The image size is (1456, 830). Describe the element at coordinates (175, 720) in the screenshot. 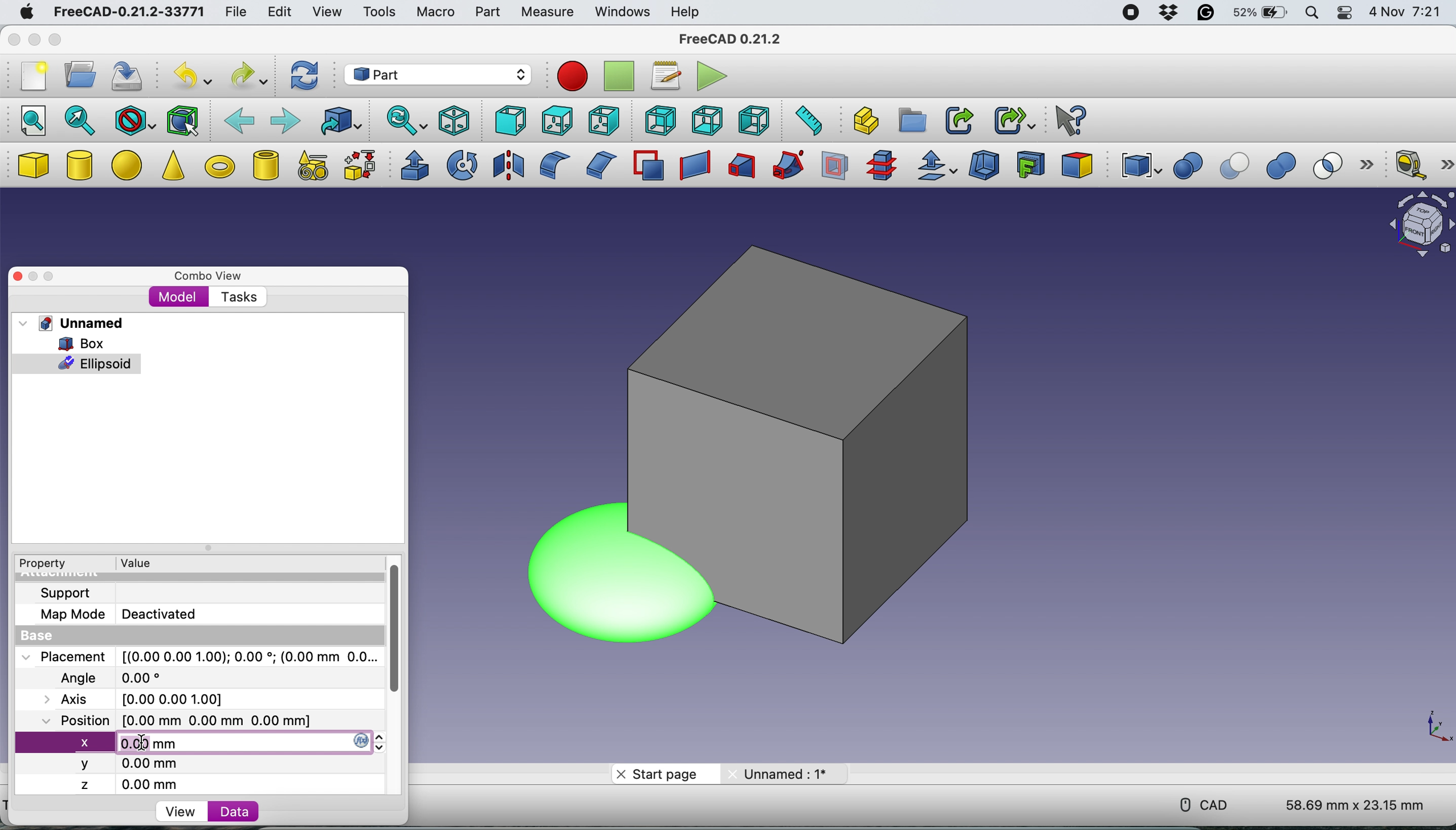

I see `Position [0.00 mm 0.00 mm 0.00 mm]` at that location.